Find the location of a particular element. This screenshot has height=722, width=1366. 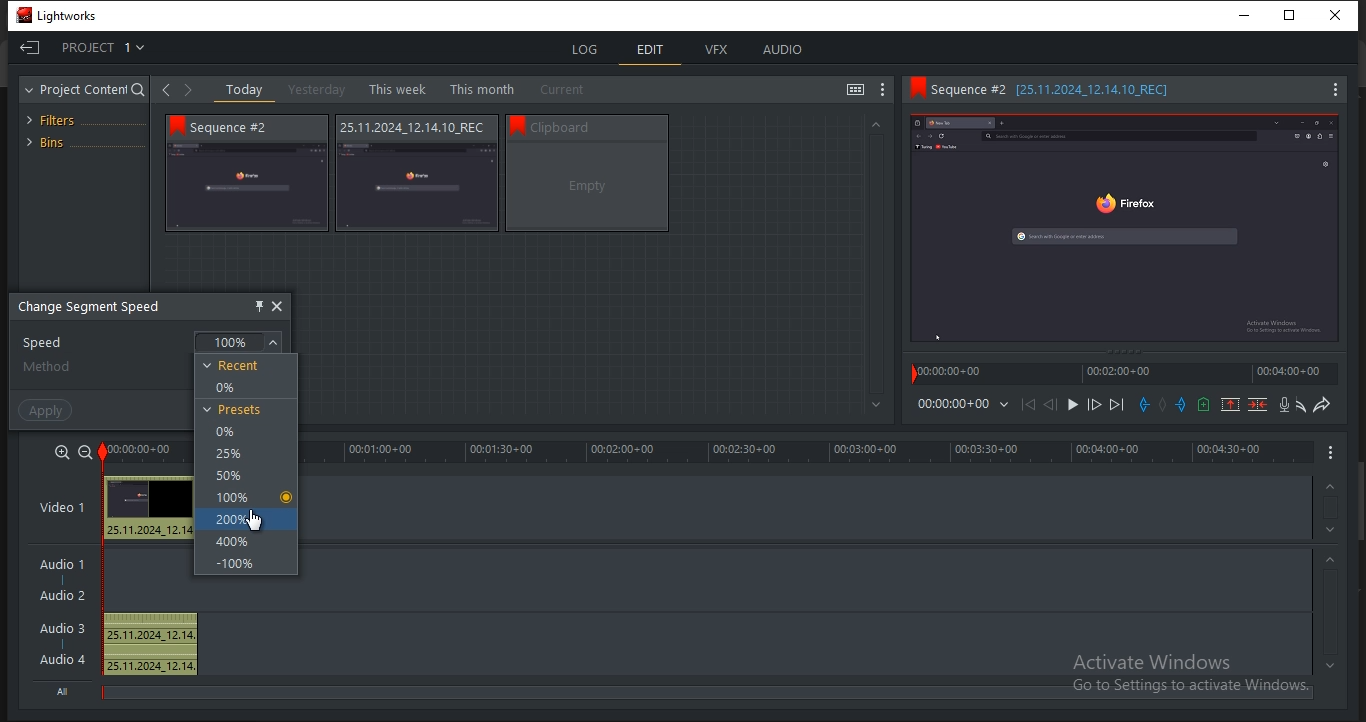

Greyed out up arrow is located at coordinates (883, 125).